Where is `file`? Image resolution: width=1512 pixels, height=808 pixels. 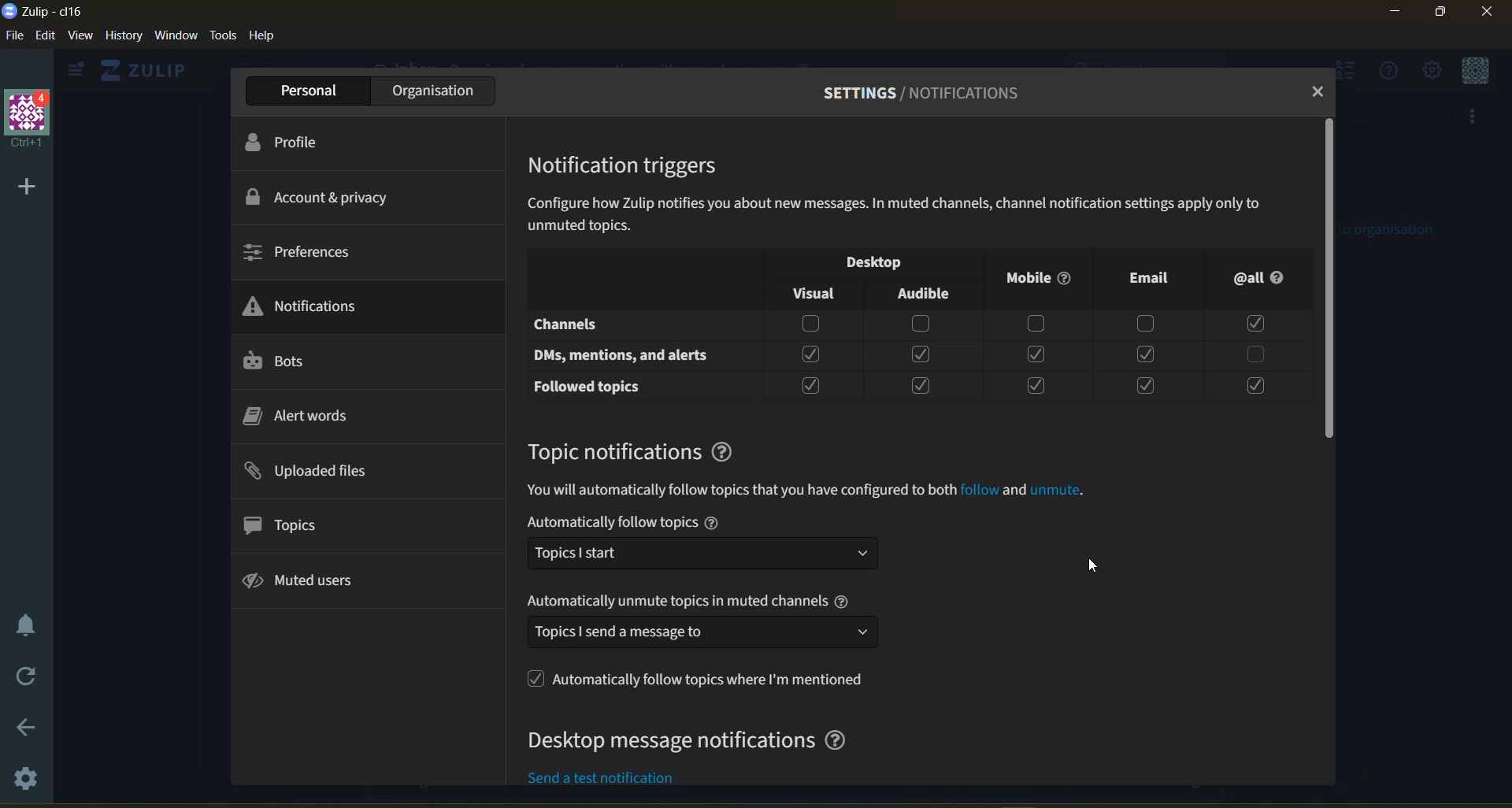
file is located at coordinates (13, 35).